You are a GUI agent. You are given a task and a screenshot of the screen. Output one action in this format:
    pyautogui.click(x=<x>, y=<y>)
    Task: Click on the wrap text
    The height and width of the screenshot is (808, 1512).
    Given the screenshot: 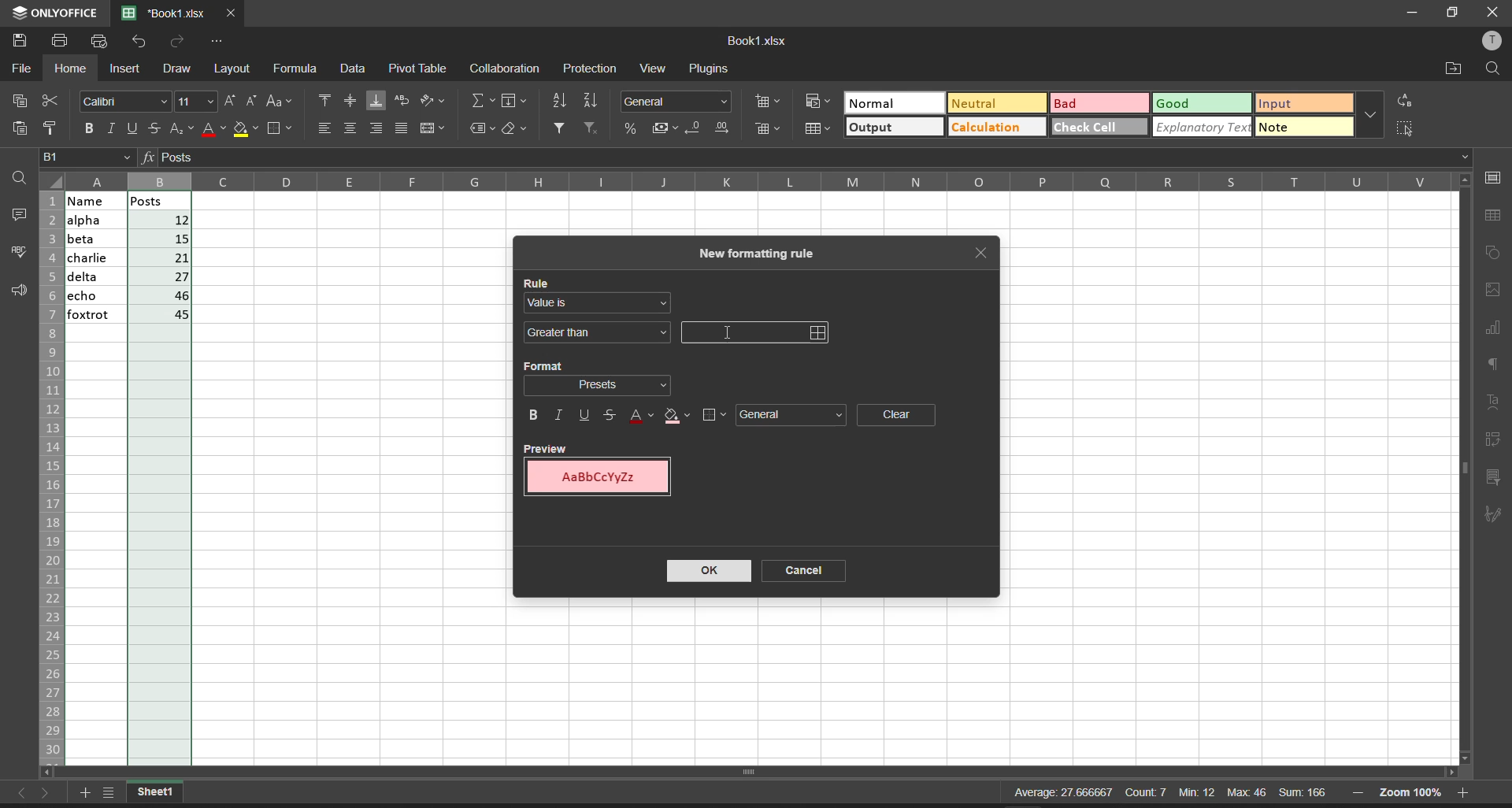 What is the action you would take?
    pyautogui.click(x=401, y=103)
    